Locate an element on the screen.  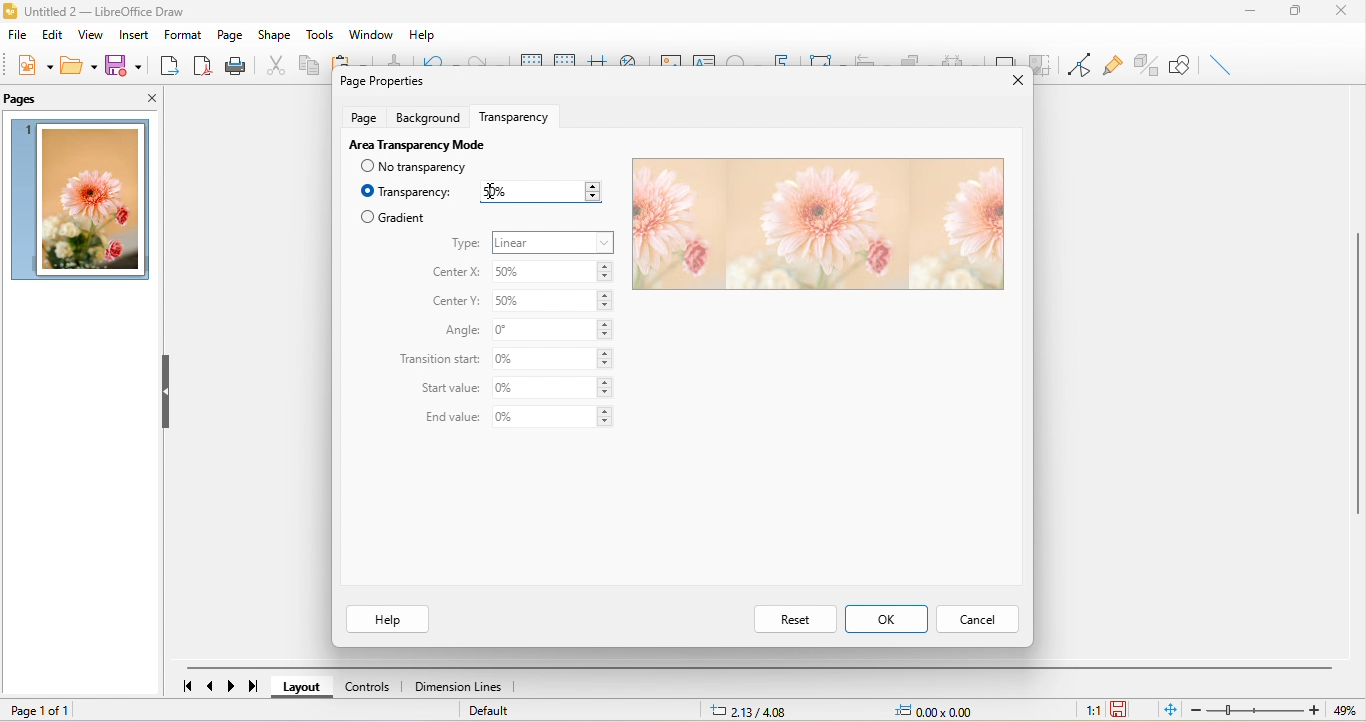
maximize is located at coordinates (1305, 13).